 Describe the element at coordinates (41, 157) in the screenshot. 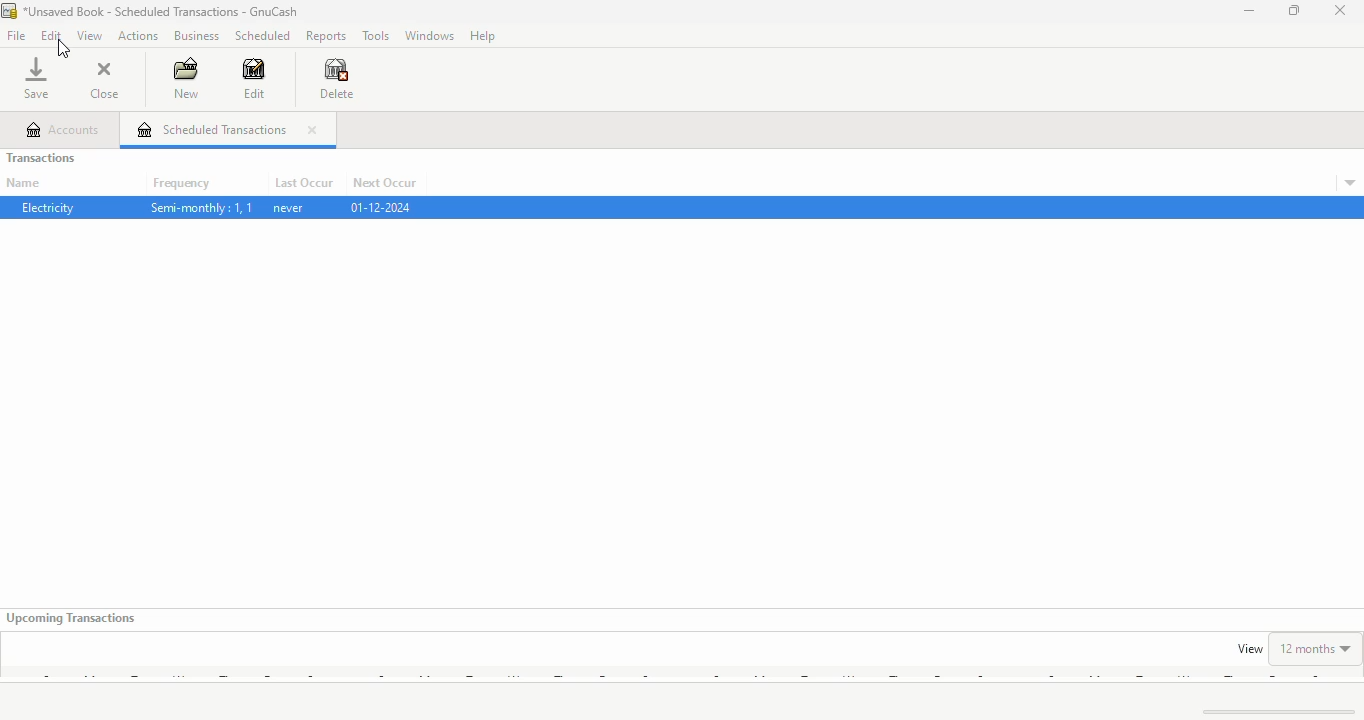

I see `transactions` at that location.